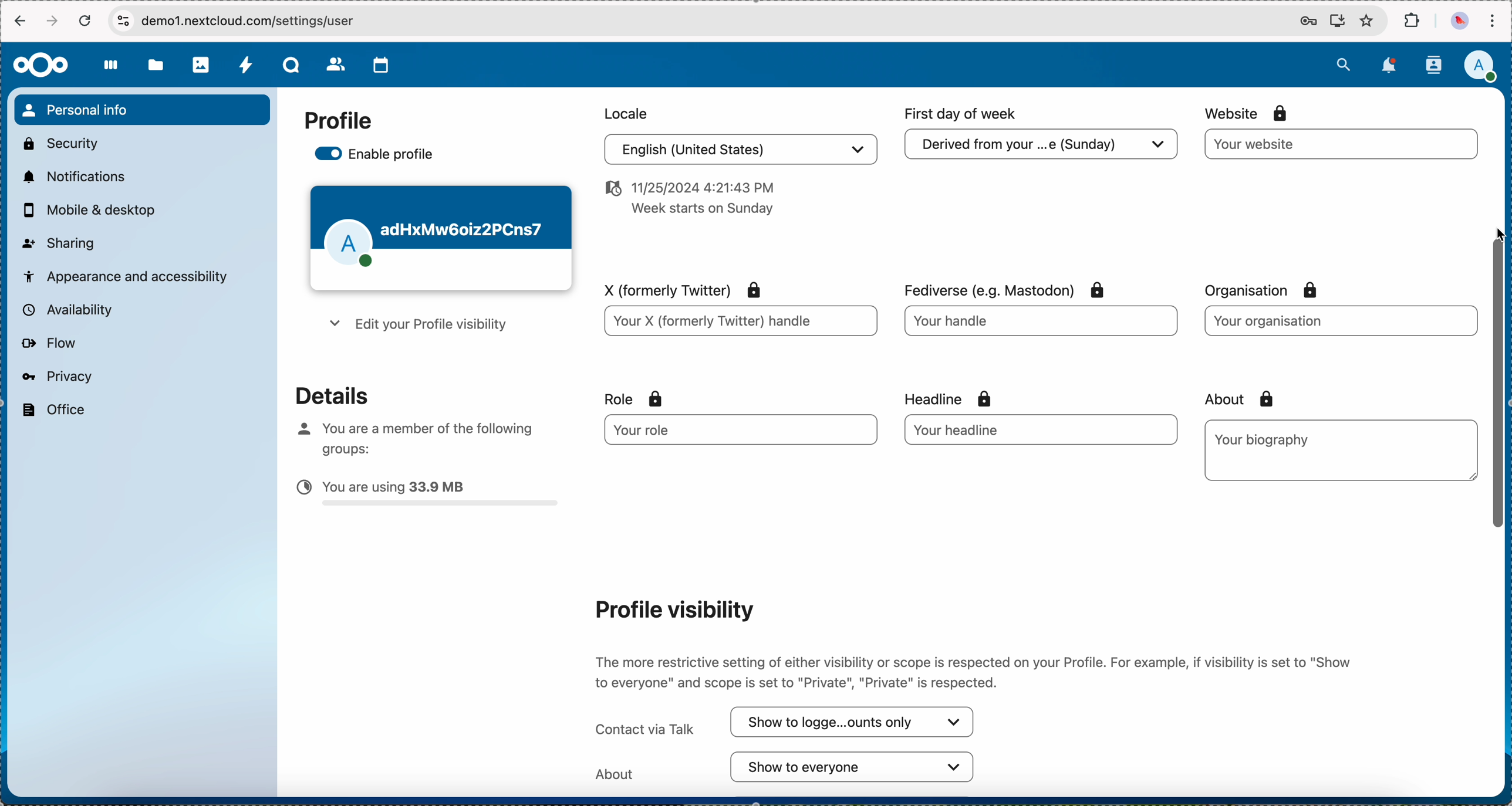 The width and height of the screenshot is (1512, 806). I want to click on controls, so click(123, 20).